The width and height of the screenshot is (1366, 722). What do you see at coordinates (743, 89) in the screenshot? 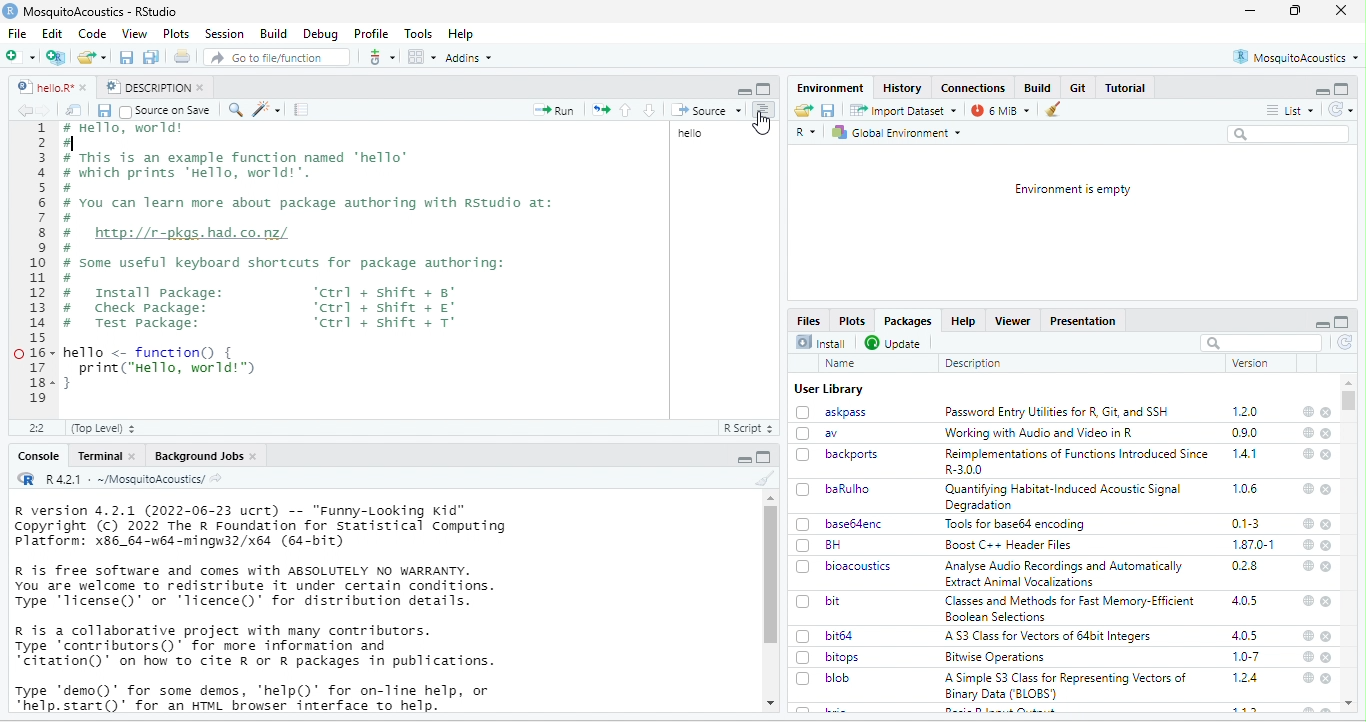
I see `maximize` at bounding box center [743, 89].